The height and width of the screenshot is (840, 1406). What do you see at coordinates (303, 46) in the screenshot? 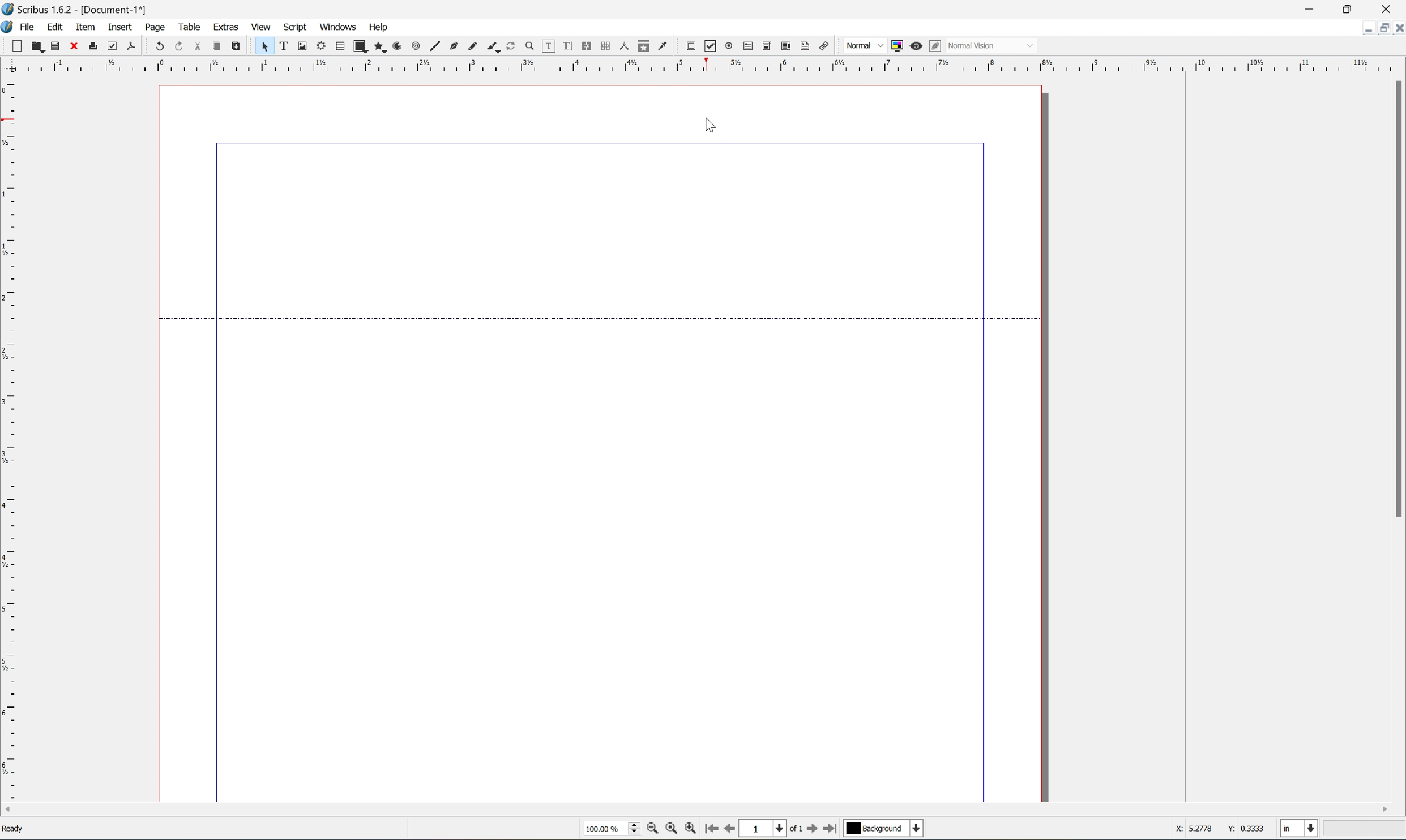
I see `image frame` at bounding box center [303, 46].